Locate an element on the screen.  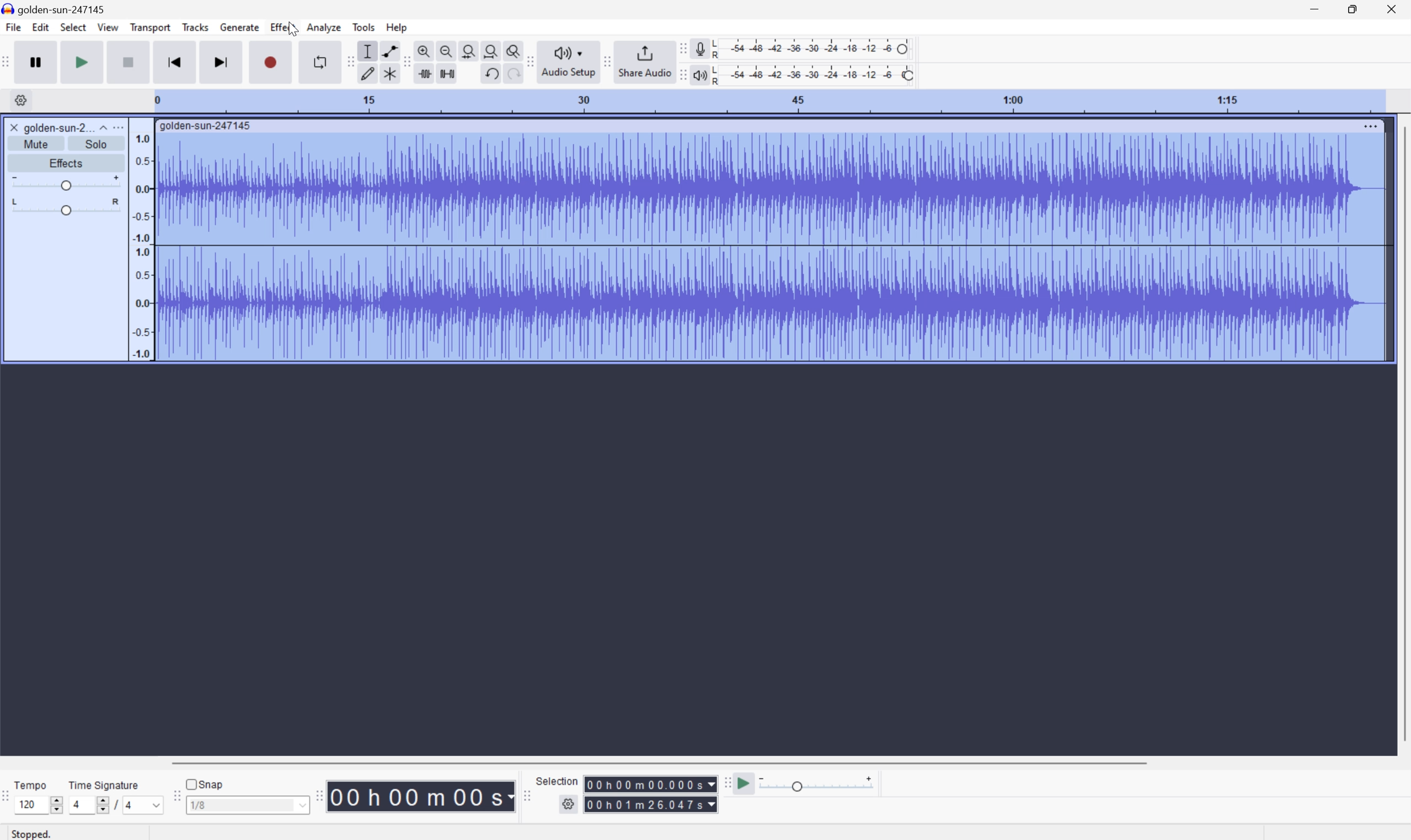
Analyze is located at coordinates (324, 27).